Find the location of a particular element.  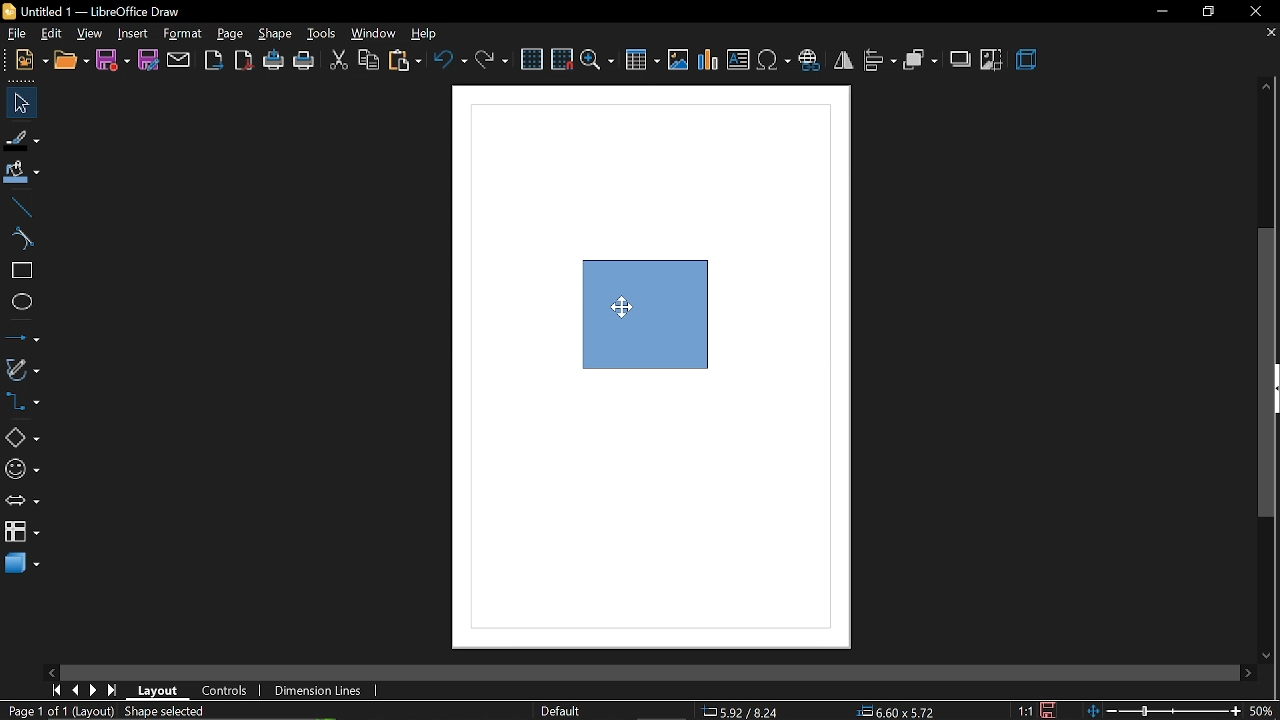

Line is located at coordinates (18, 205).